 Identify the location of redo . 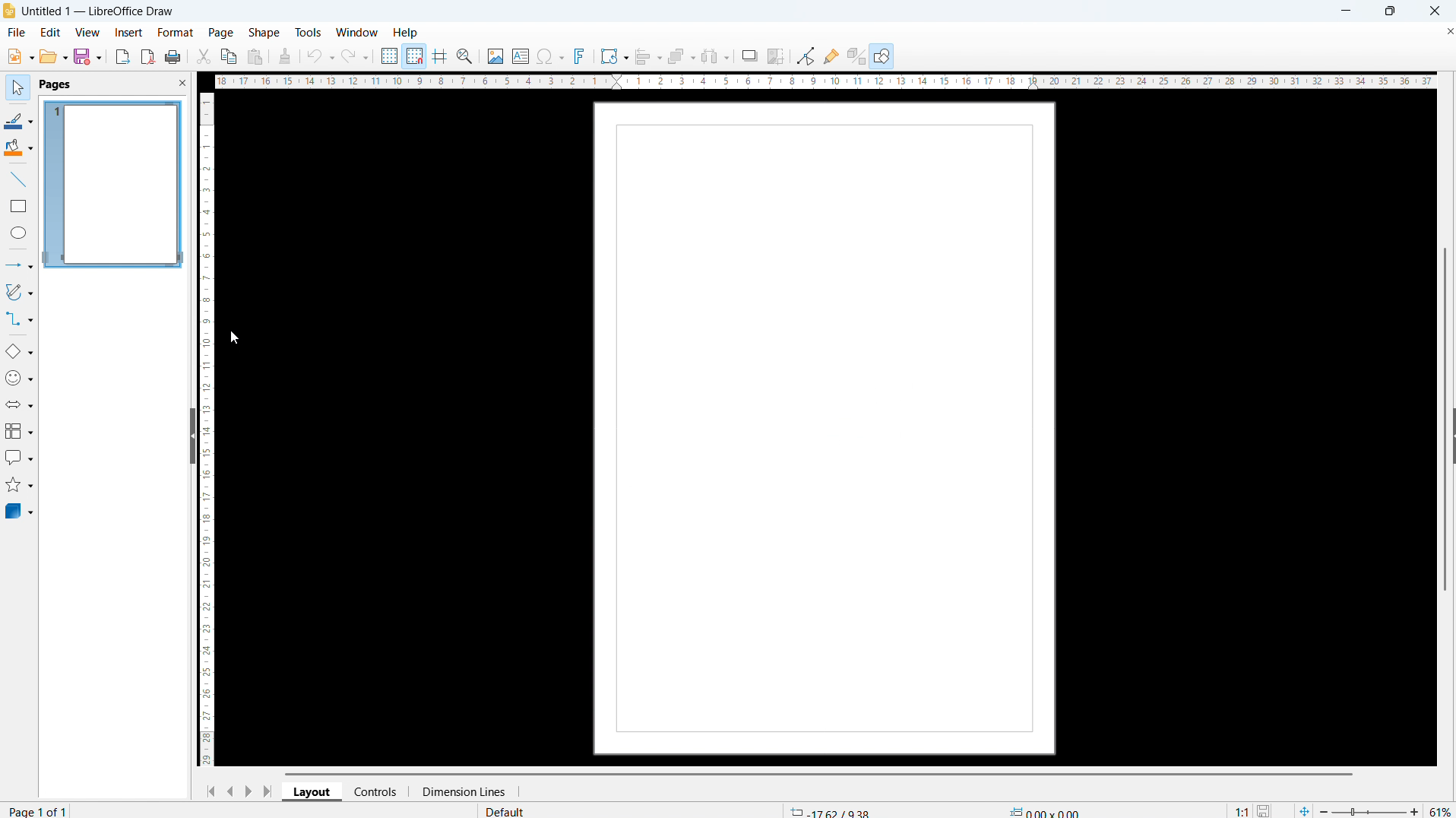
(356, 55).